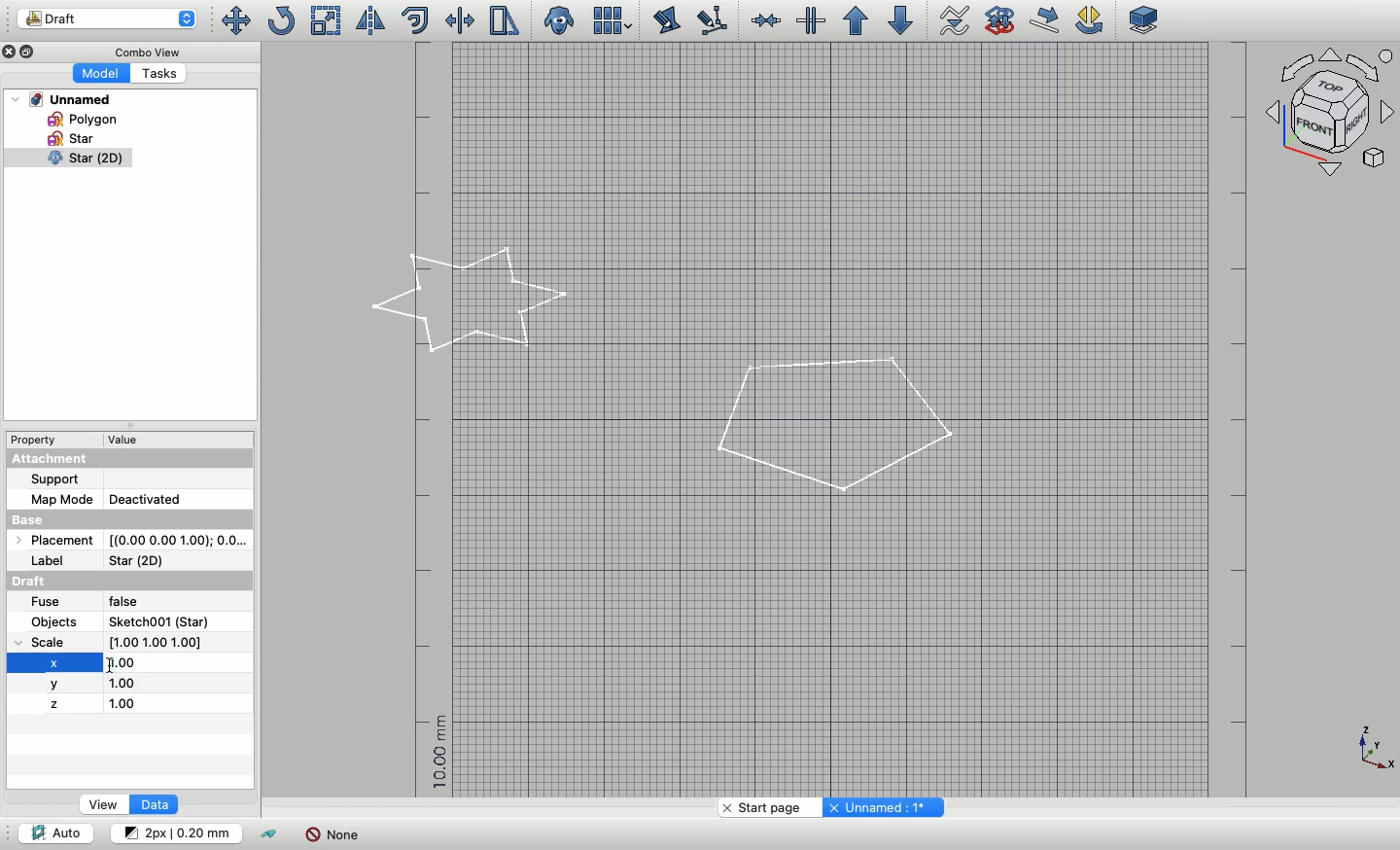 This screenshot has width=1400, height=850. Describe the element at coordinates (503, 20) in the screenshot. I see `Stretch` at that location.